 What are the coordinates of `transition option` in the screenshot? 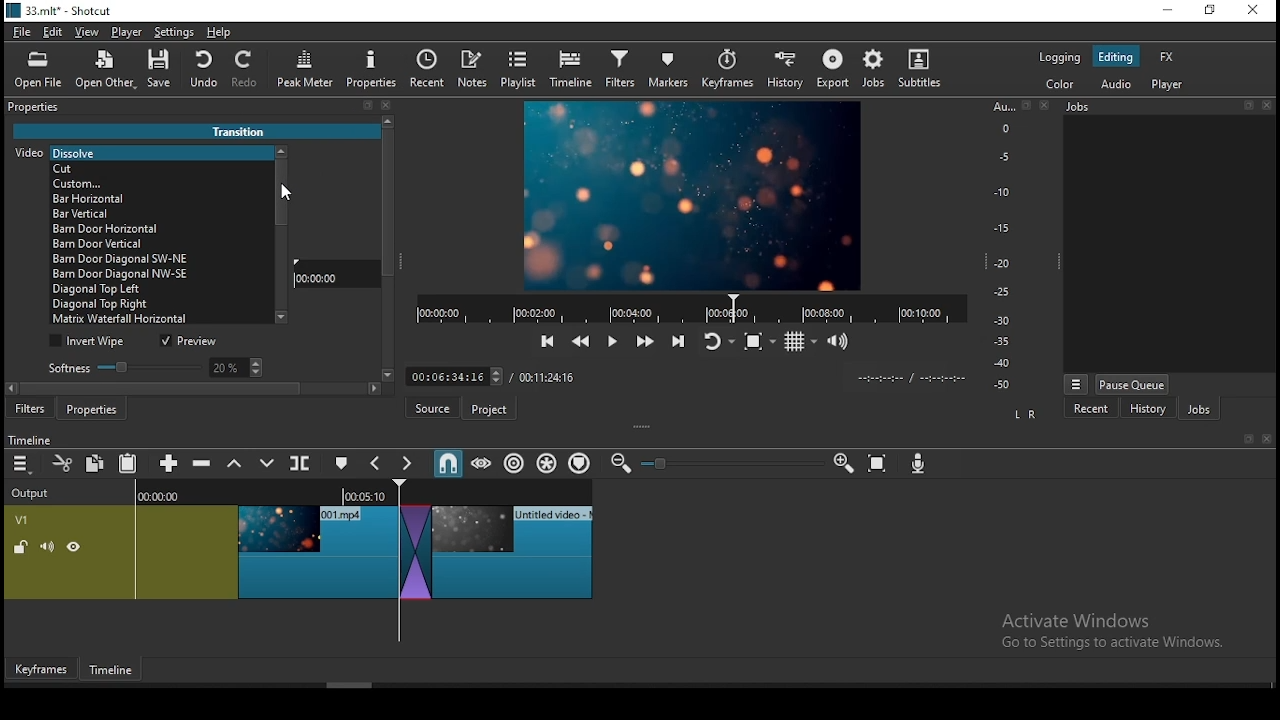 It's located at (160, 184).